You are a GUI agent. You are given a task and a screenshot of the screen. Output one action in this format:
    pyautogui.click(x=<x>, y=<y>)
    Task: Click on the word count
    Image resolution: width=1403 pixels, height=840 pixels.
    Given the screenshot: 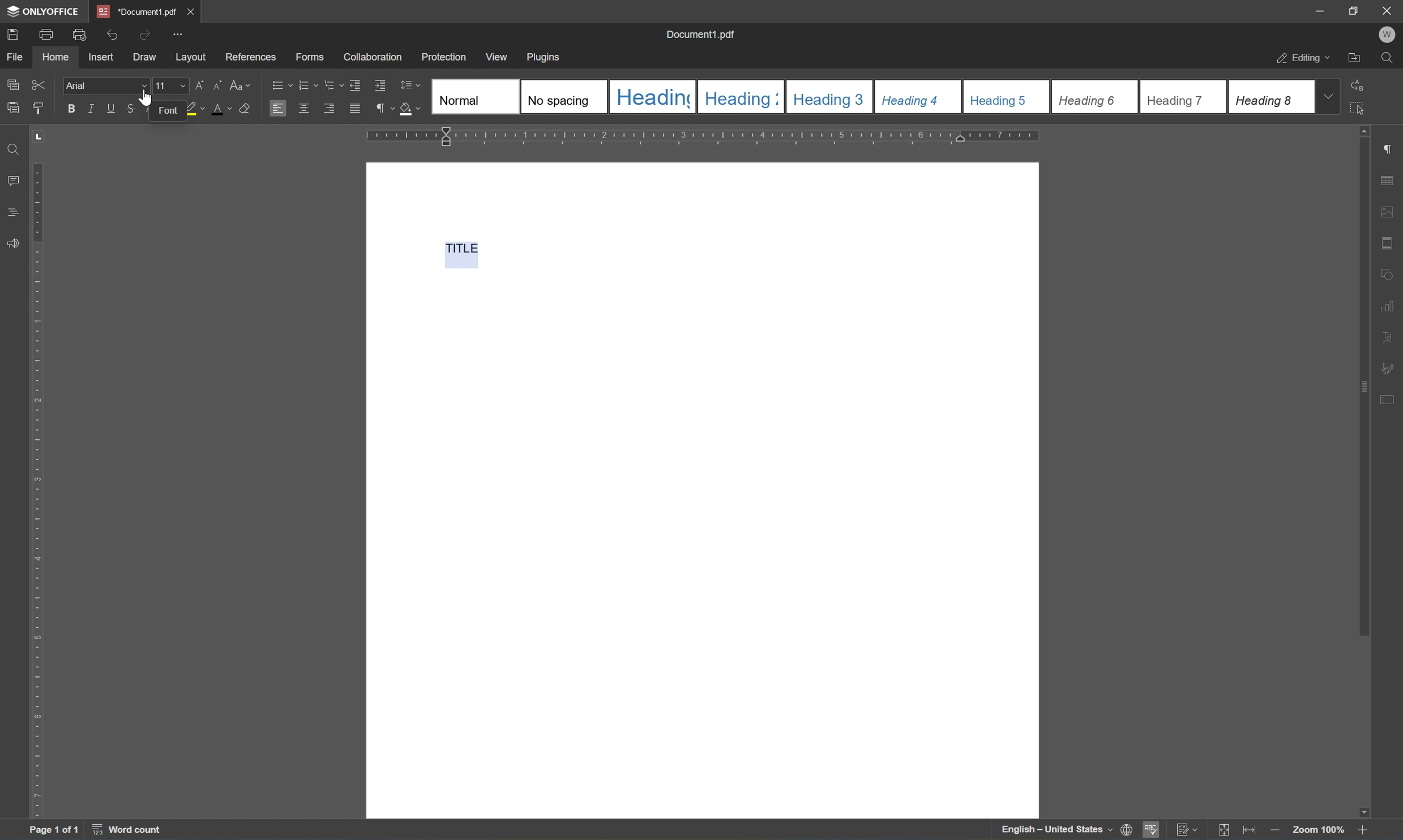 What is the action you would take?
    pyautogui.click(x=130, y=831)
    